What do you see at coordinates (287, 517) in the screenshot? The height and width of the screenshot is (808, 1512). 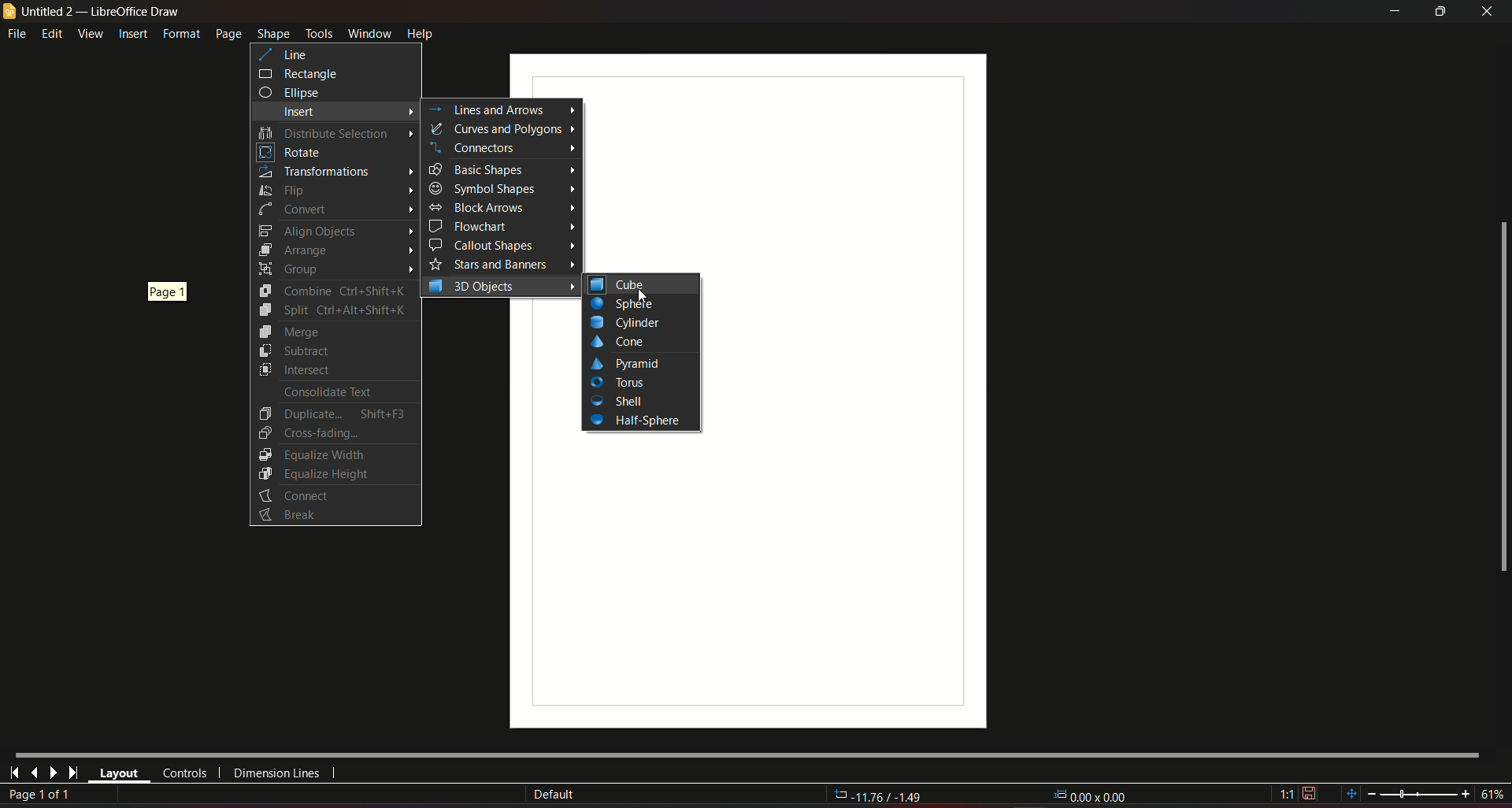 I see `` at bounding box center [287, 517].